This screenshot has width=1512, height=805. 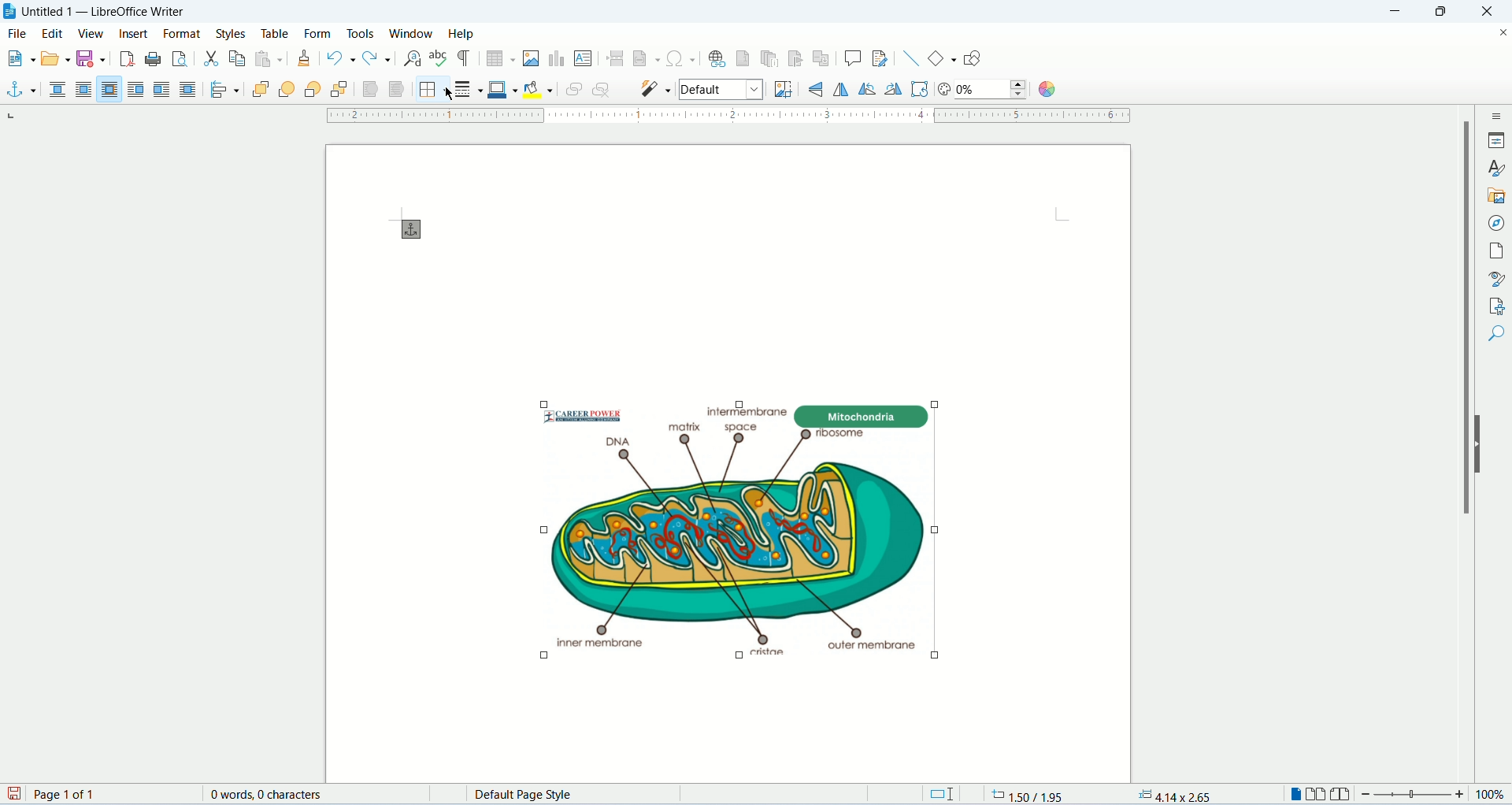 What do you see at coordinates (340, 90) in the screenshot?
I see `send to back` at bounding box center [340, 90].